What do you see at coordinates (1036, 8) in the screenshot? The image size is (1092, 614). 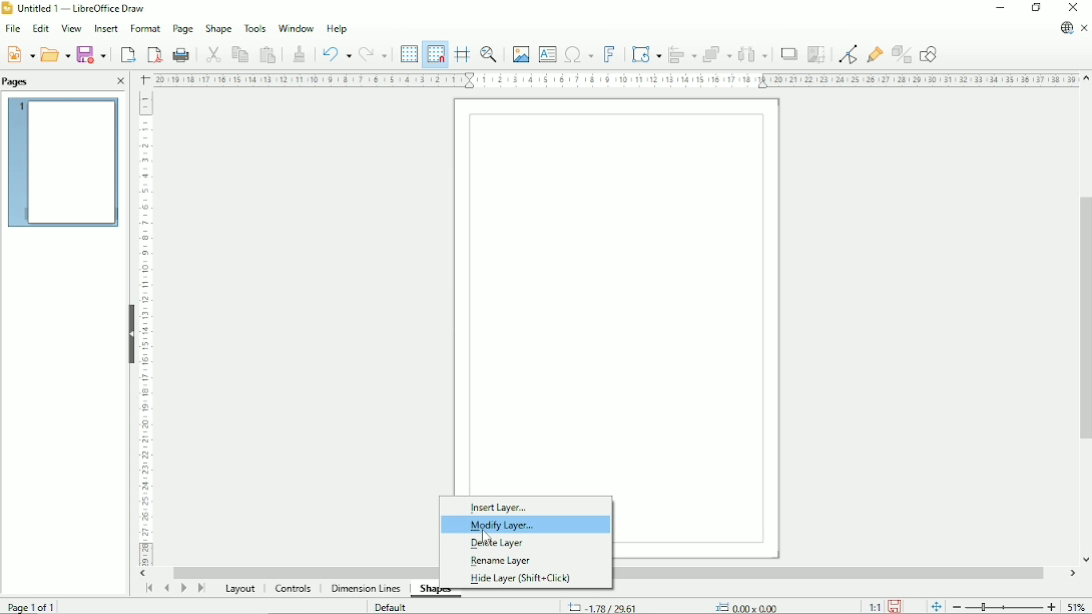 I see `Restore down` at bounding box center [1036, 8].